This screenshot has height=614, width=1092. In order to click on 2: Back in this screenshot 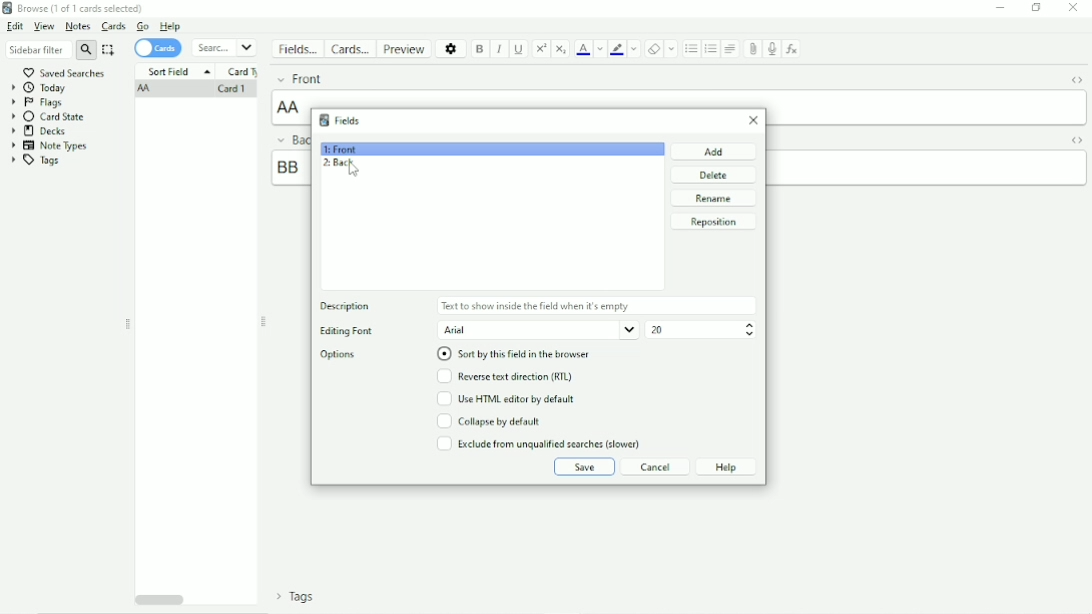, I will do `click(339, 165)`.